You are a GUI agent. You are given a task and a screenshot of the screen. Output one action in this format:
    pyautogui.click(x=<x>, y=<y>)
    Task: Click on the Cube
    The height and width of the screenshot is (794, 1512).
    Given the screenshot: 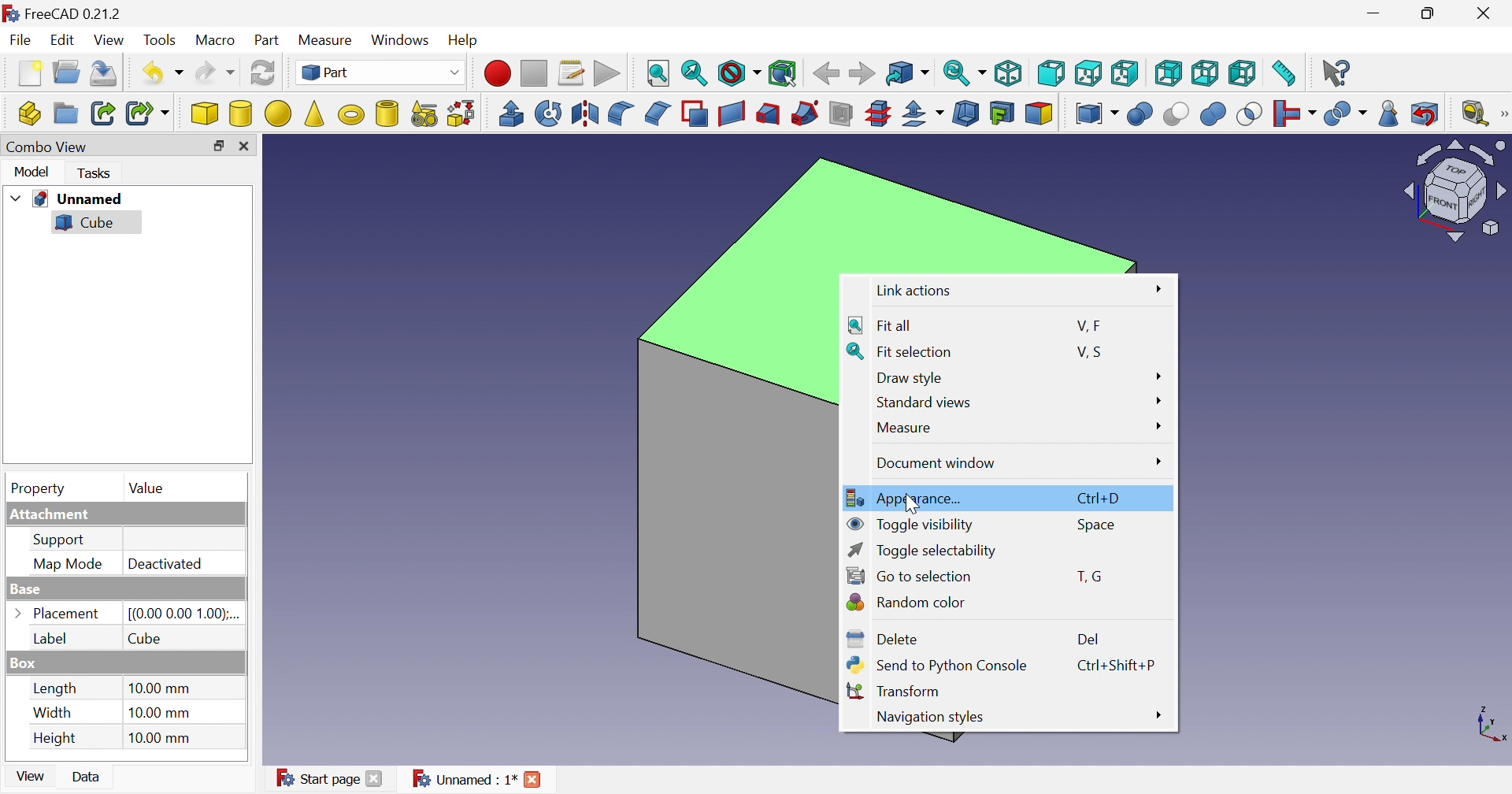 What is the action you would take?
    pyautogui.click(x=146, y=638)
    